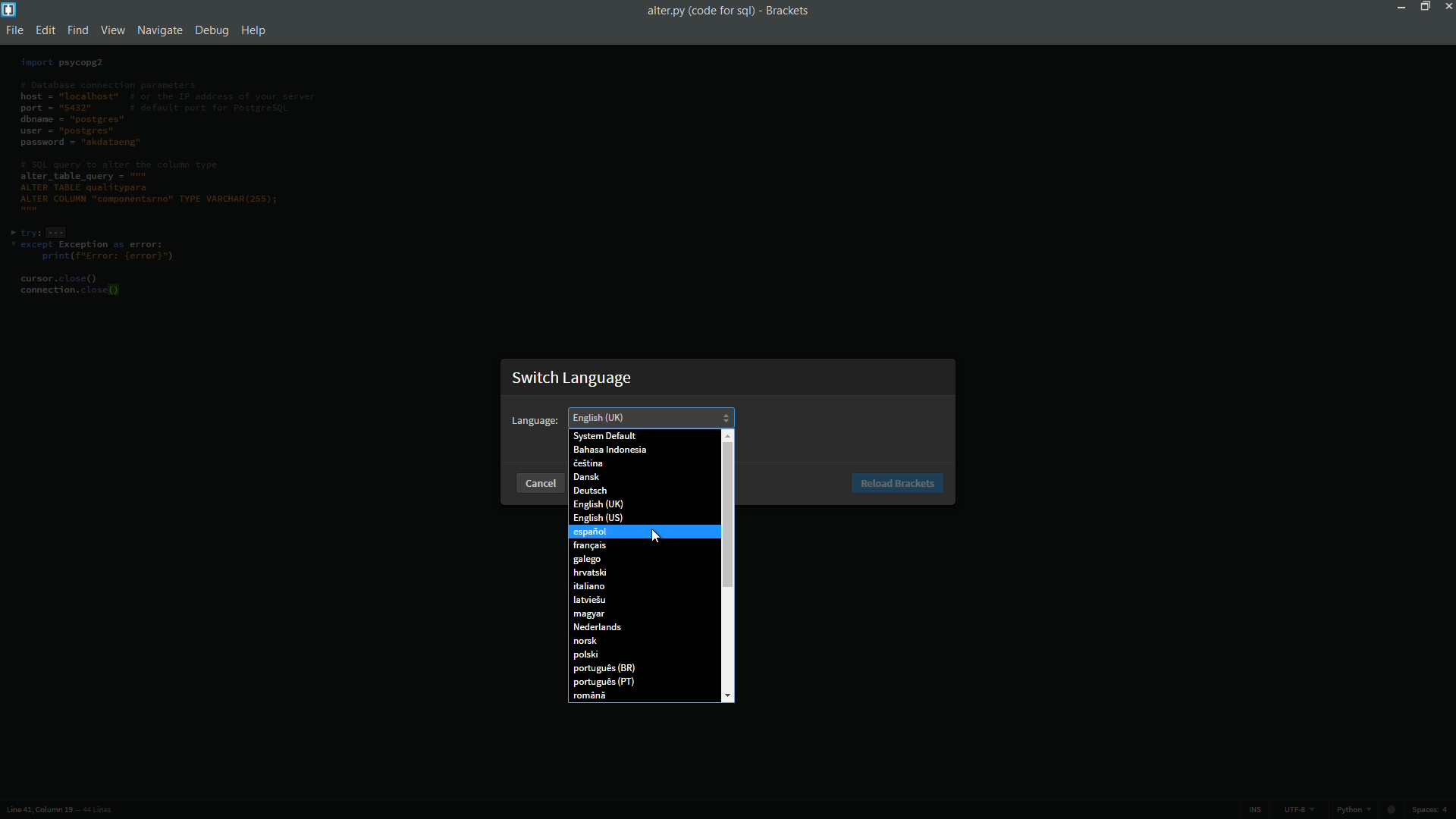  What do you see at coordinates (97, 809) in the screenshot?
I see `number of lines` at bounding box center [97, 809].